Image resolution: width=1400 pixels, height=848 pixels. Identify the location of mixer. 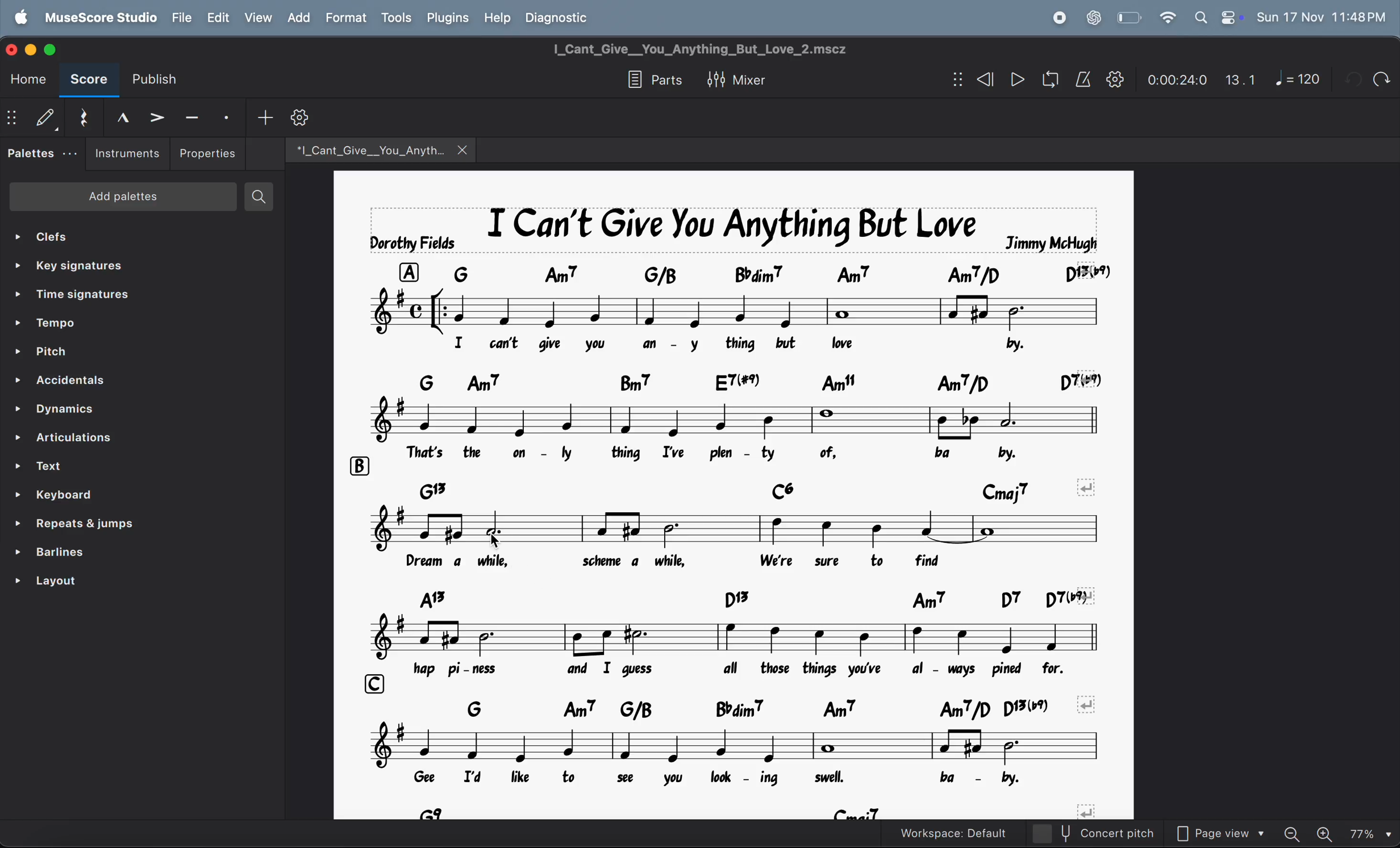
(736, 81).